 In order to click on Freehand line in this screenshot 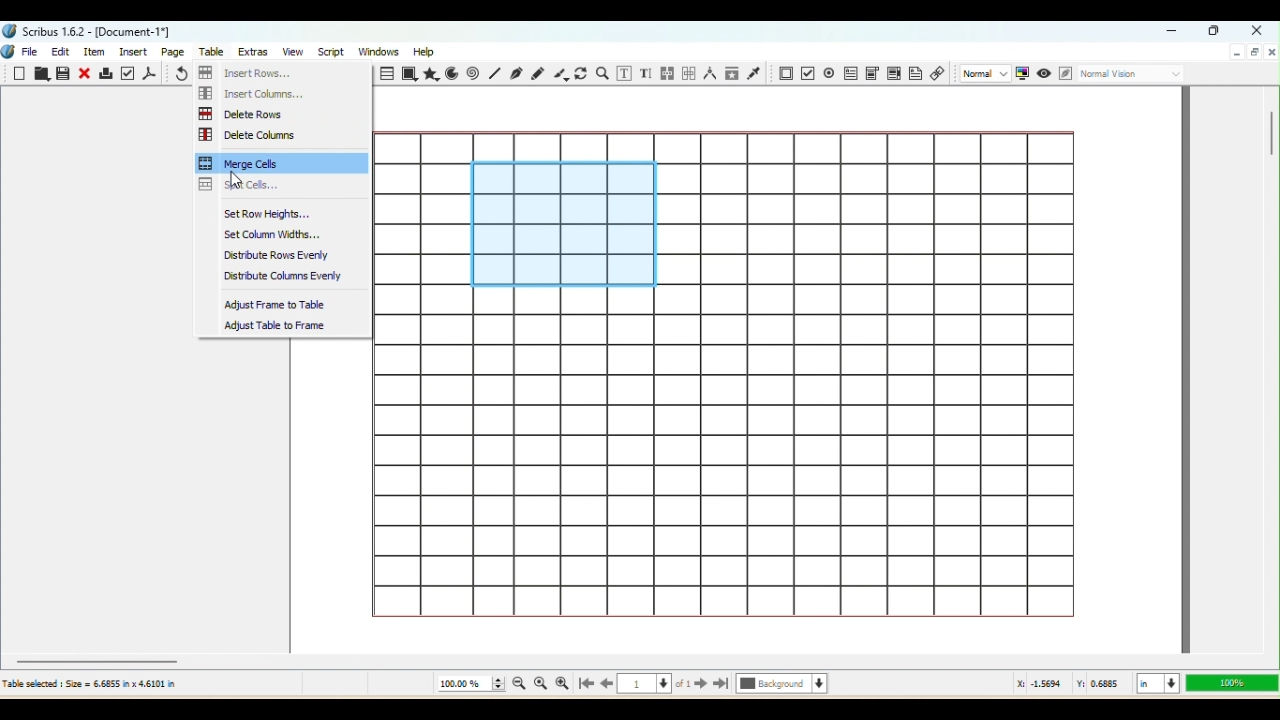, I will do `click(537, 72)`.